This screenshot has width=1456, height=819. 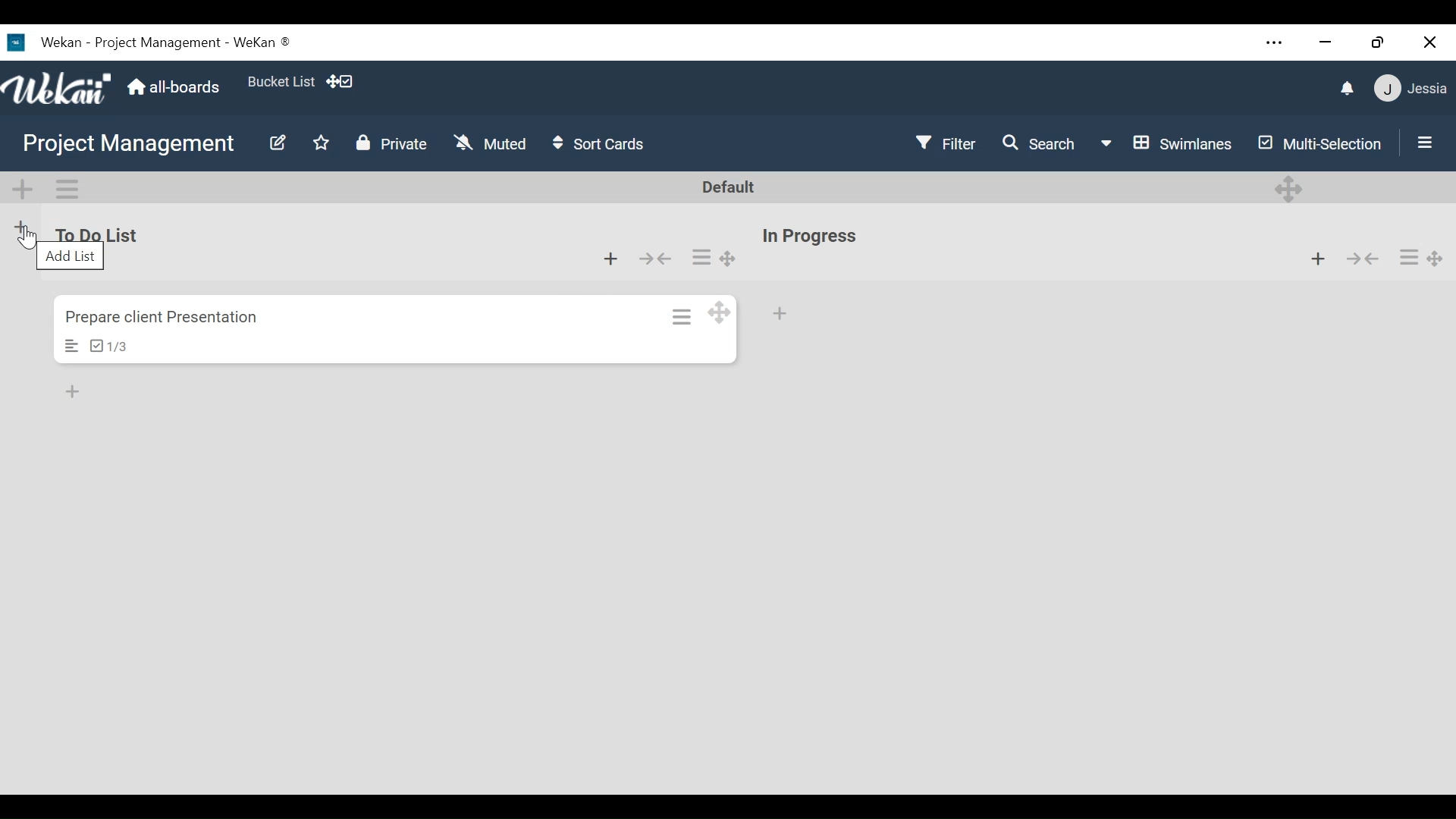 I want to click on Card actions, so click(x=683, y=316).